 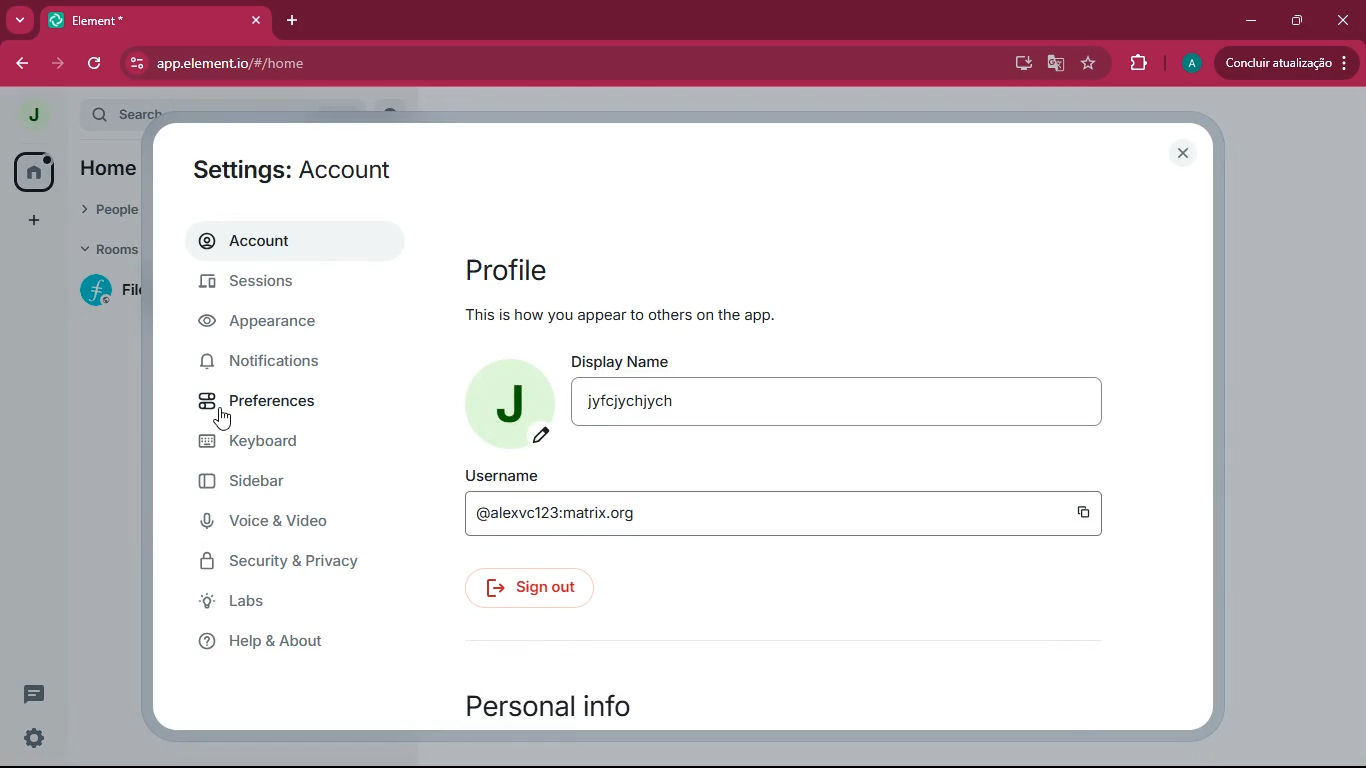 What do you see at coordinates (19, 63) in the screenshot?
I see `back` at bounding box center [19, 63].